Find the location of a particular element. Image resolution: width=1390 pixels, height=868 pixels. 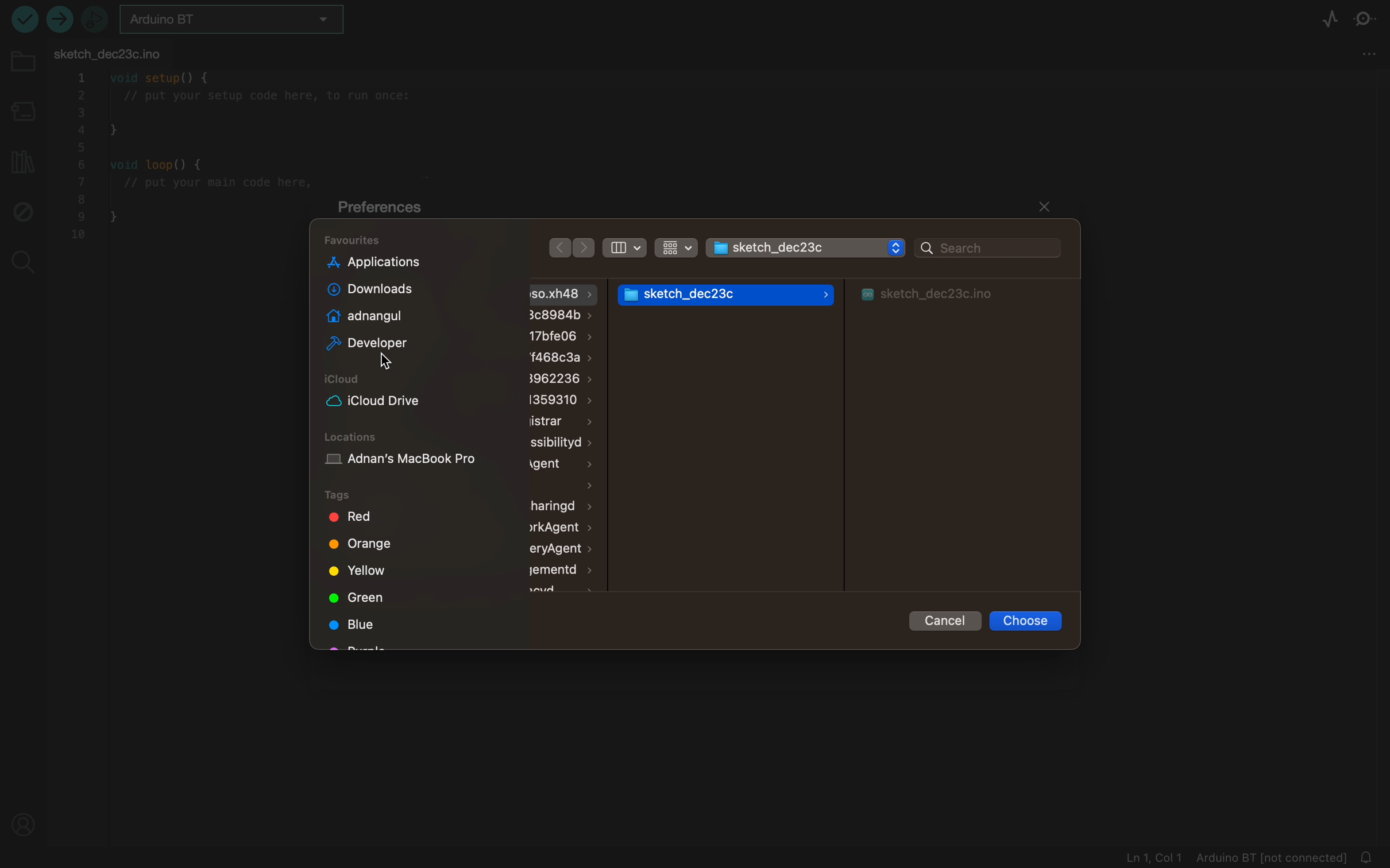

debugger is located at coordinates (98, 18).